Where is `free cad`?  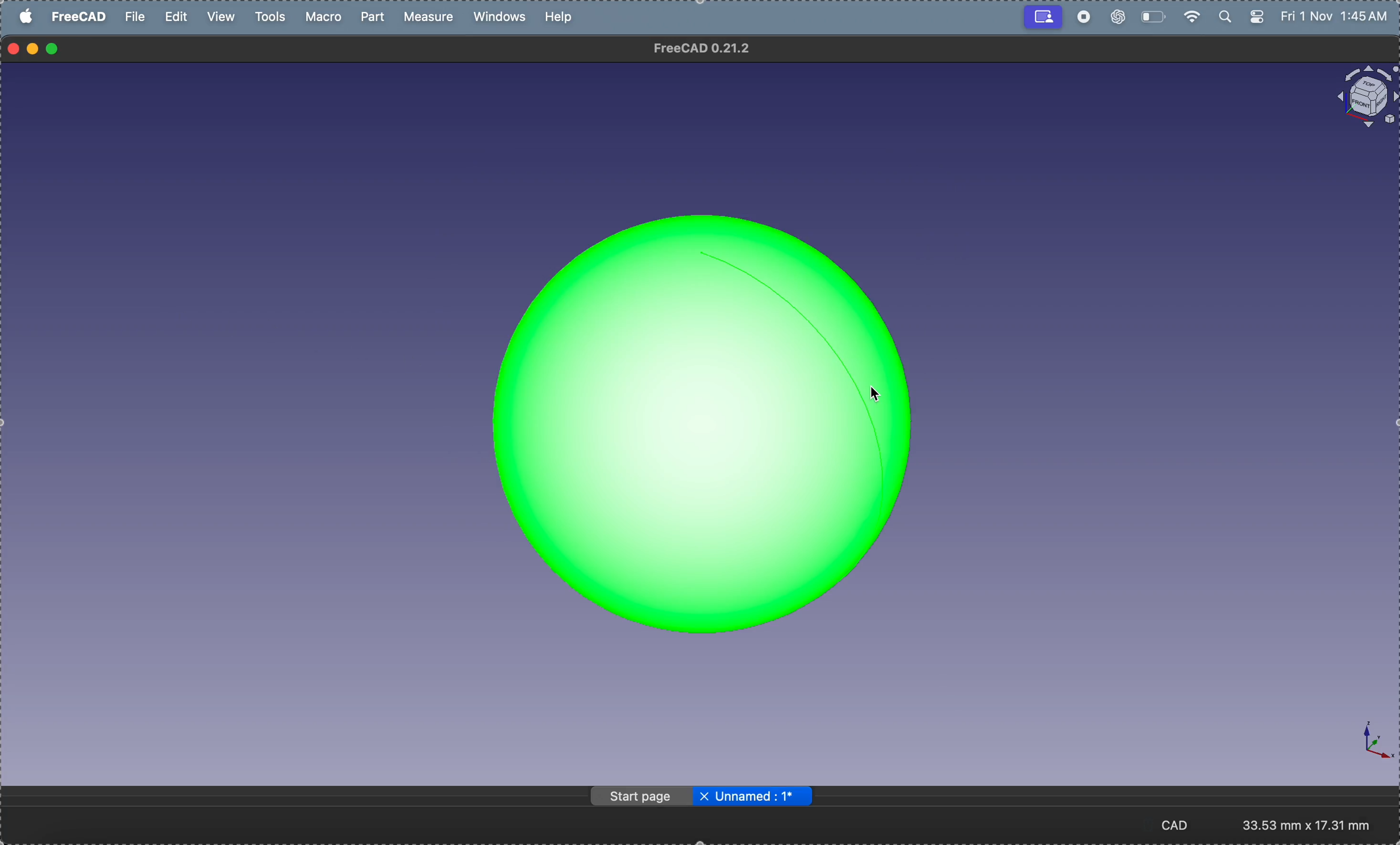
free cad is located at coordinates (80, 19).